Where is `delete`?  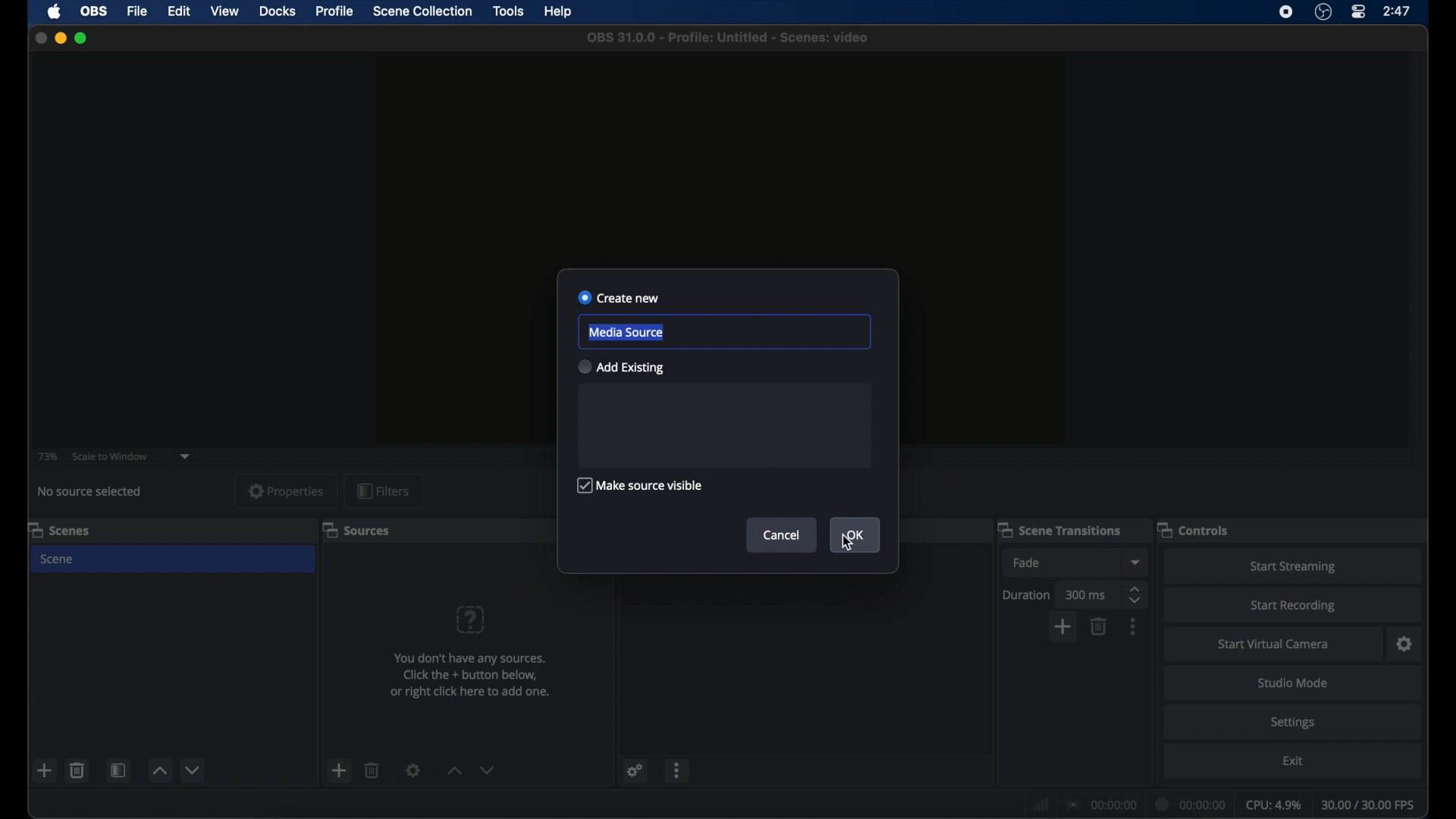 delete is located at coordinates (1098, 626).